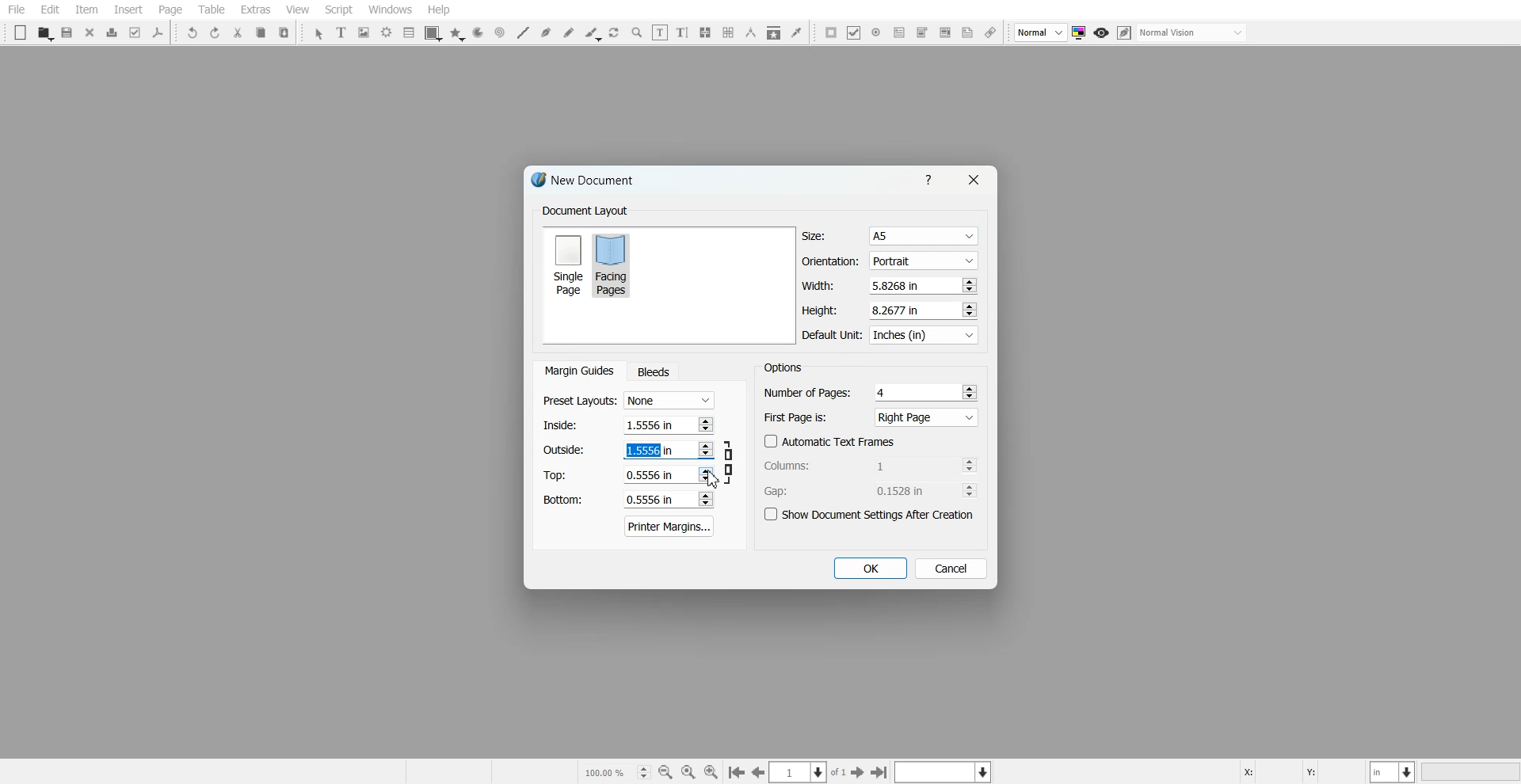  I want to click on PDF Push button, so click(831, 32).